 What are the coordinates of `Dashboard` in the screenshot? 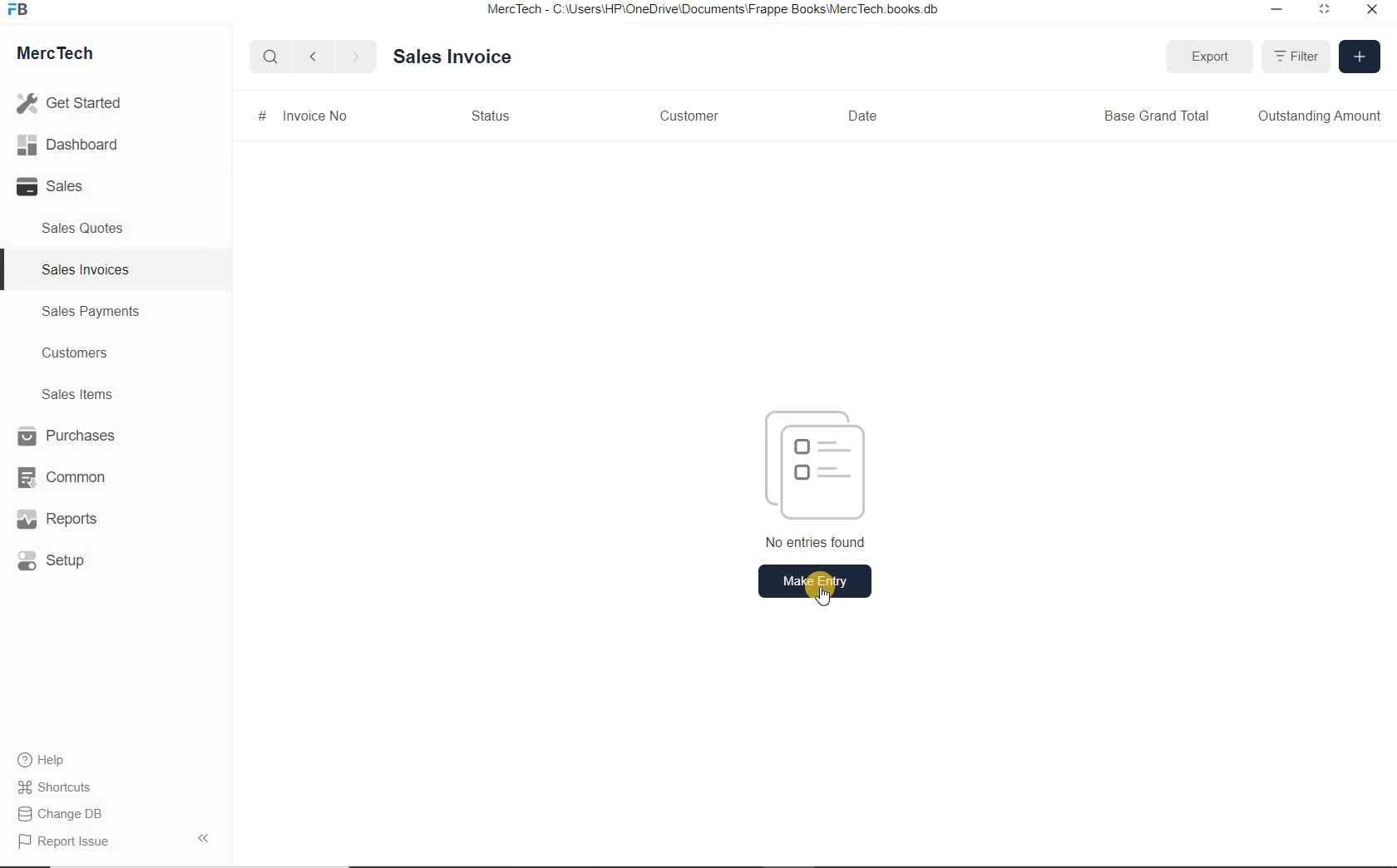 It's located at (76, 145).